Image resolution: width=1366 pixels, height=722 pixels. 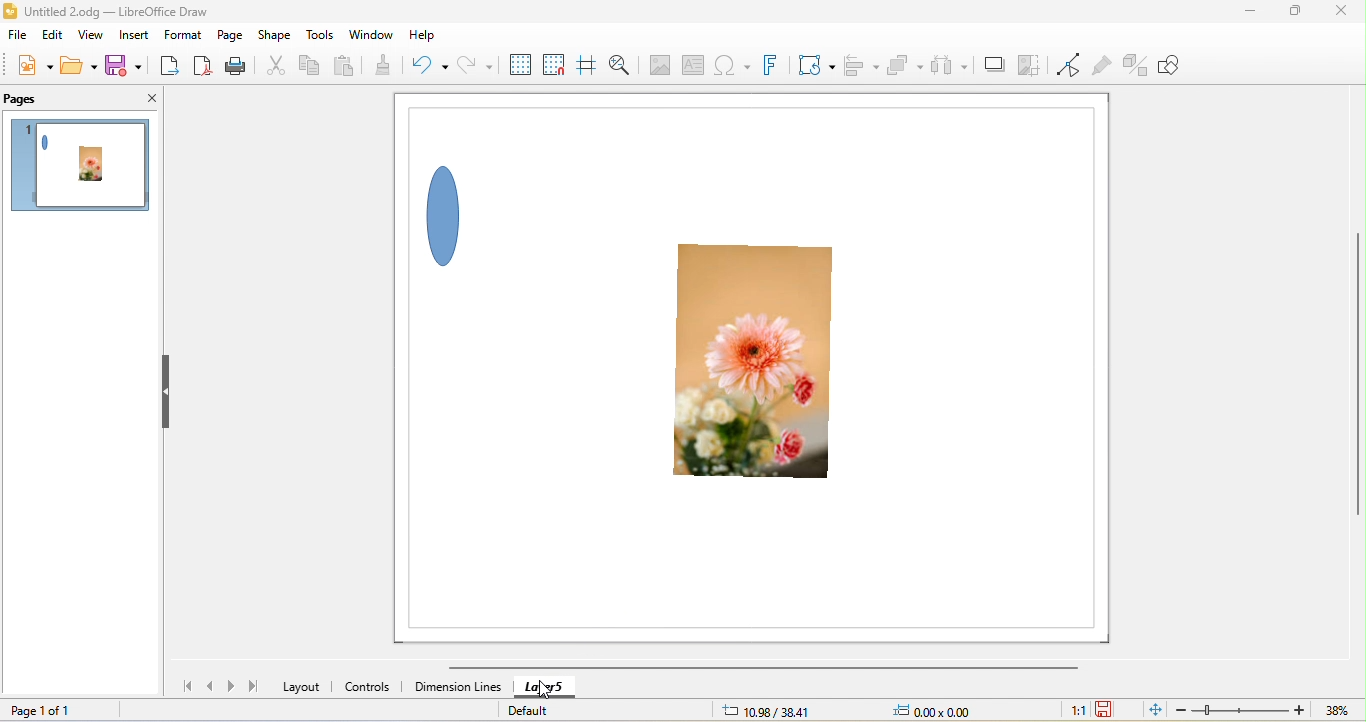 What do you see at coordinates (657, 65) in the screenshot?
I see `image` at bounding box center [657, 65].